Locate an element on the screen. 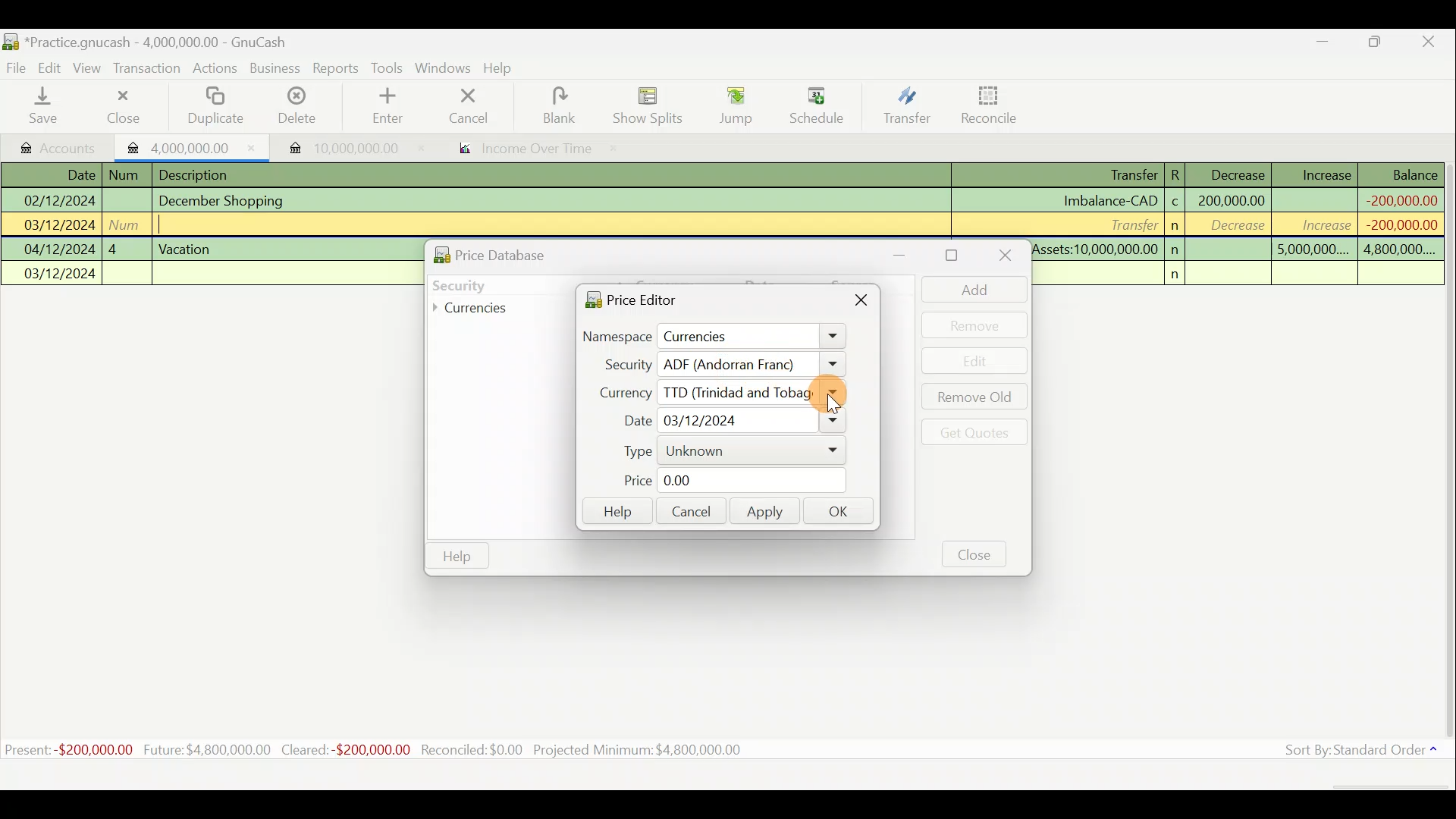  OK is located at coordinates (843, 513).